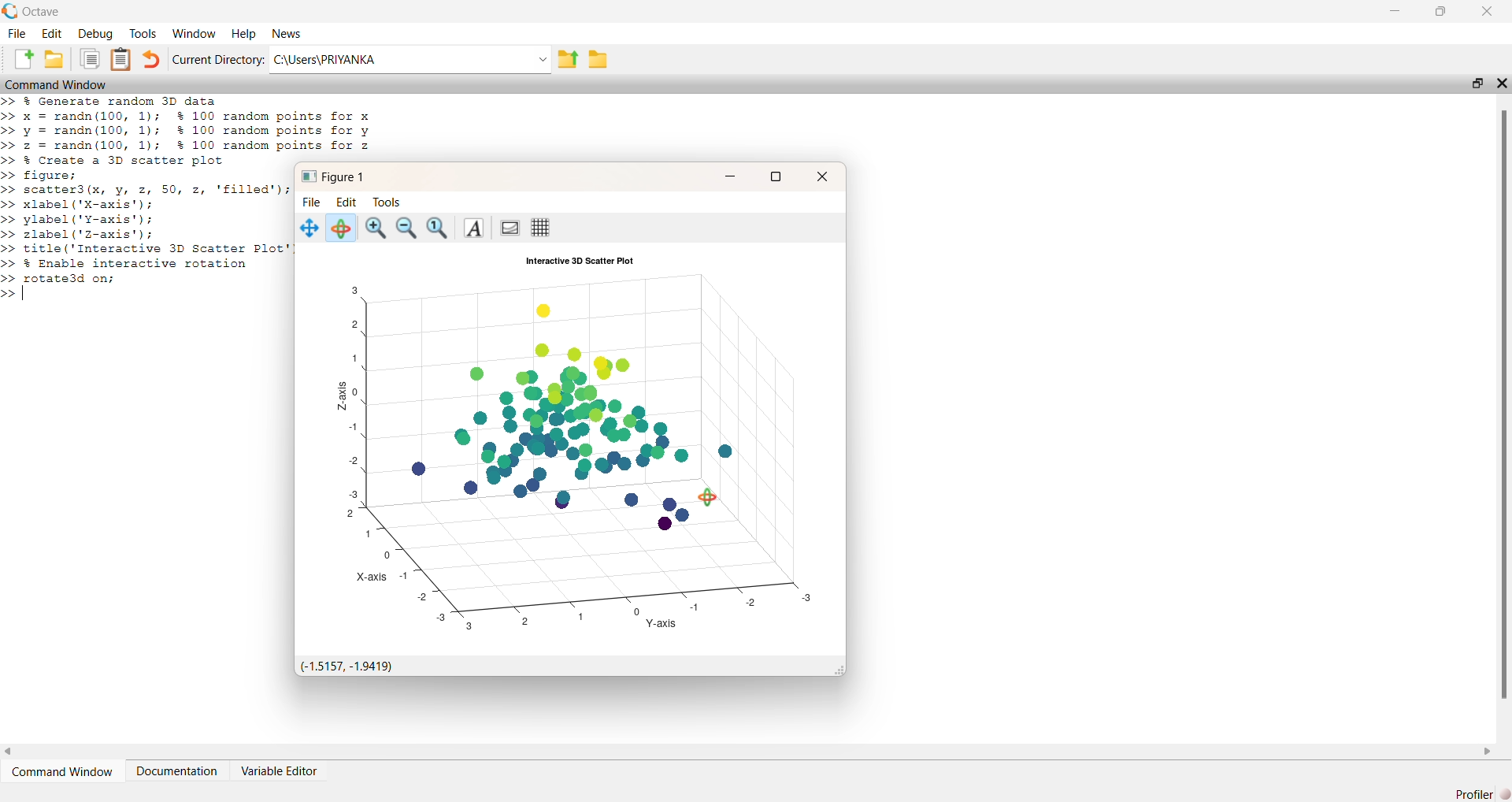  I want to click on scroll right, so click(1487, 752).